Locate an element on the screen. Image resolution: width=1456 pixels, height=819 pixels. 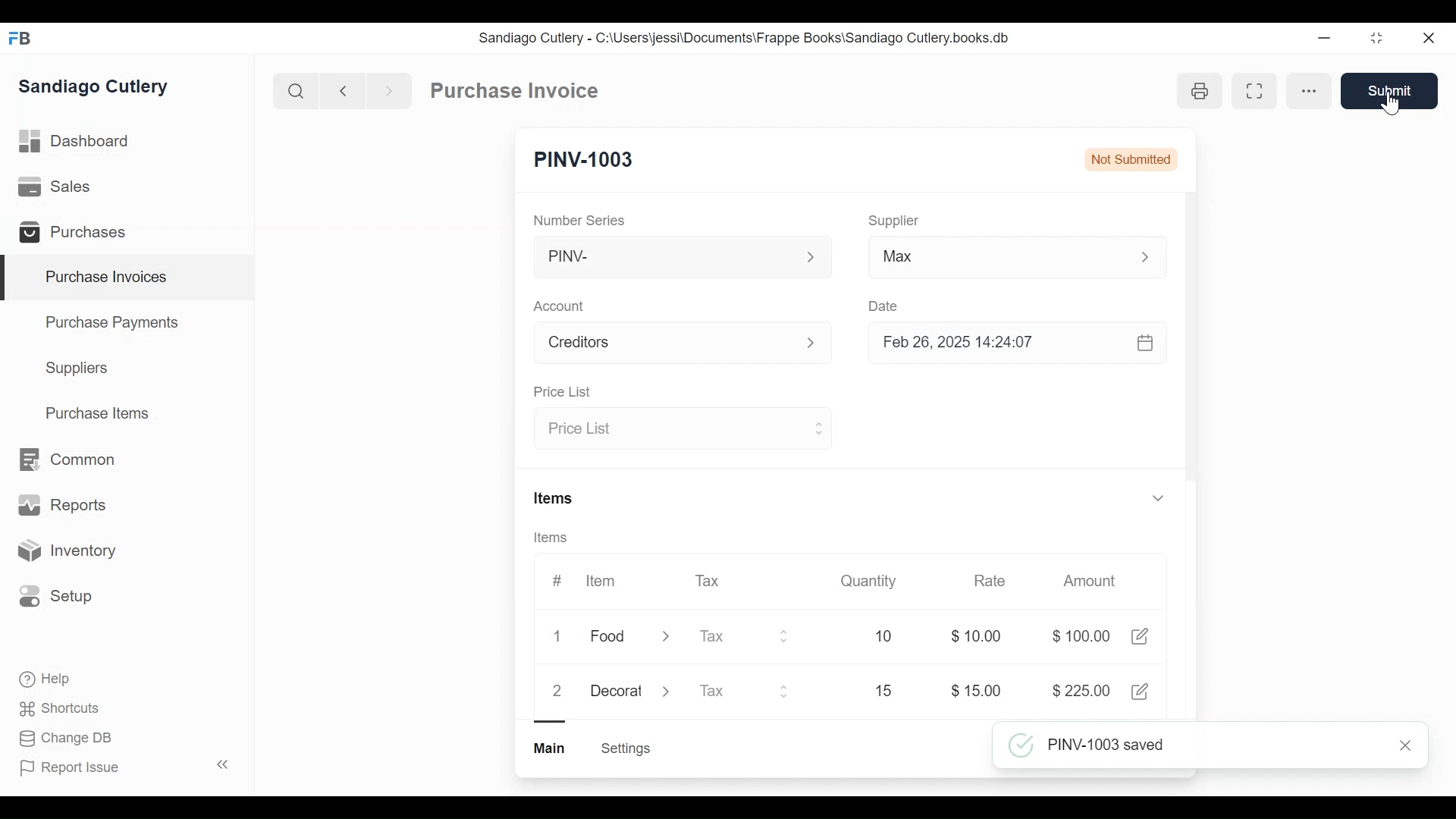
Setup is located at coordinates (56, 595).